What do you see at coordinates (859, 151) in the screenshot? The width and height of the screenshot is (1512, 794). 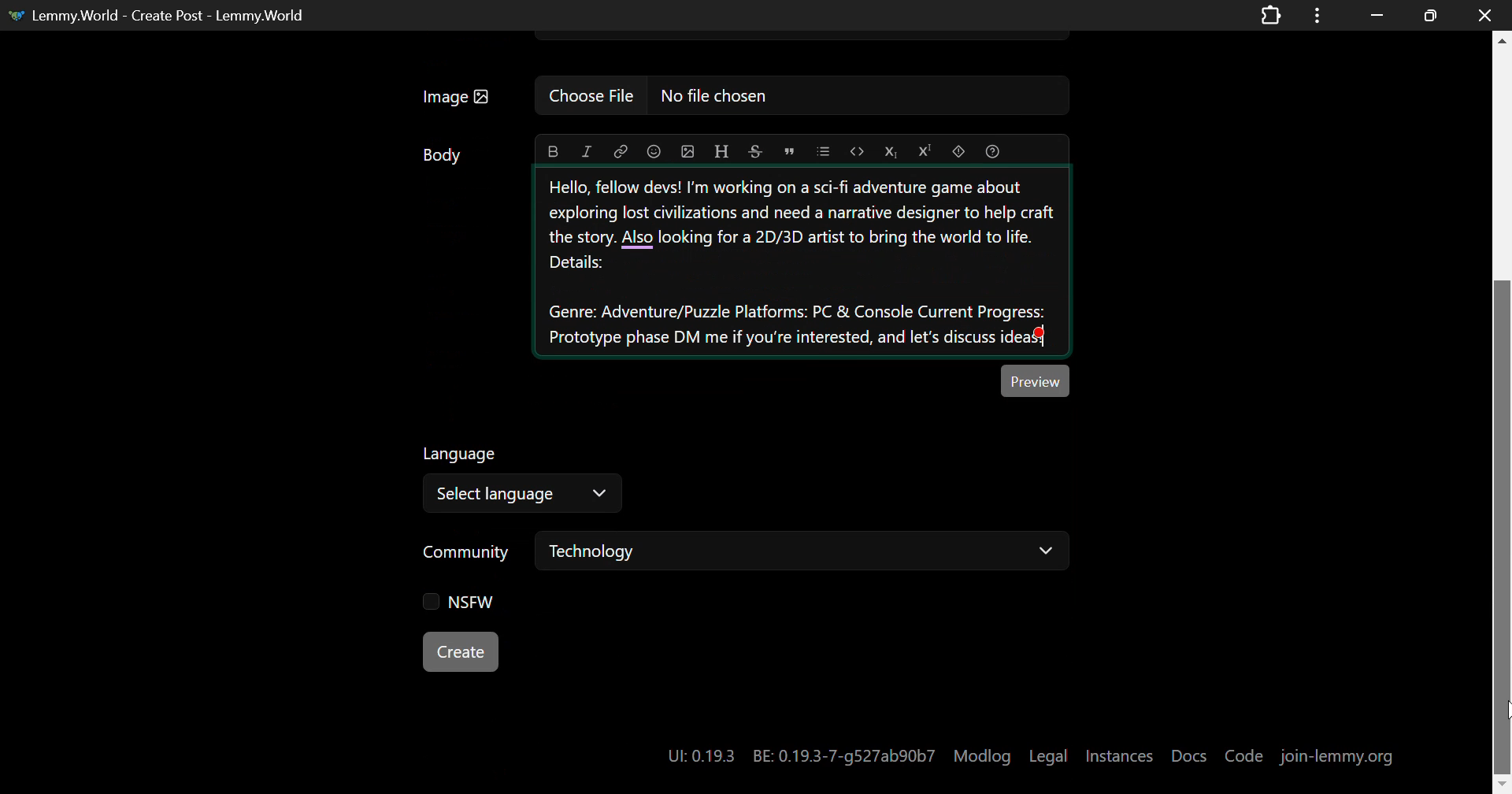 I see `code` at bounding box center [859, 151].